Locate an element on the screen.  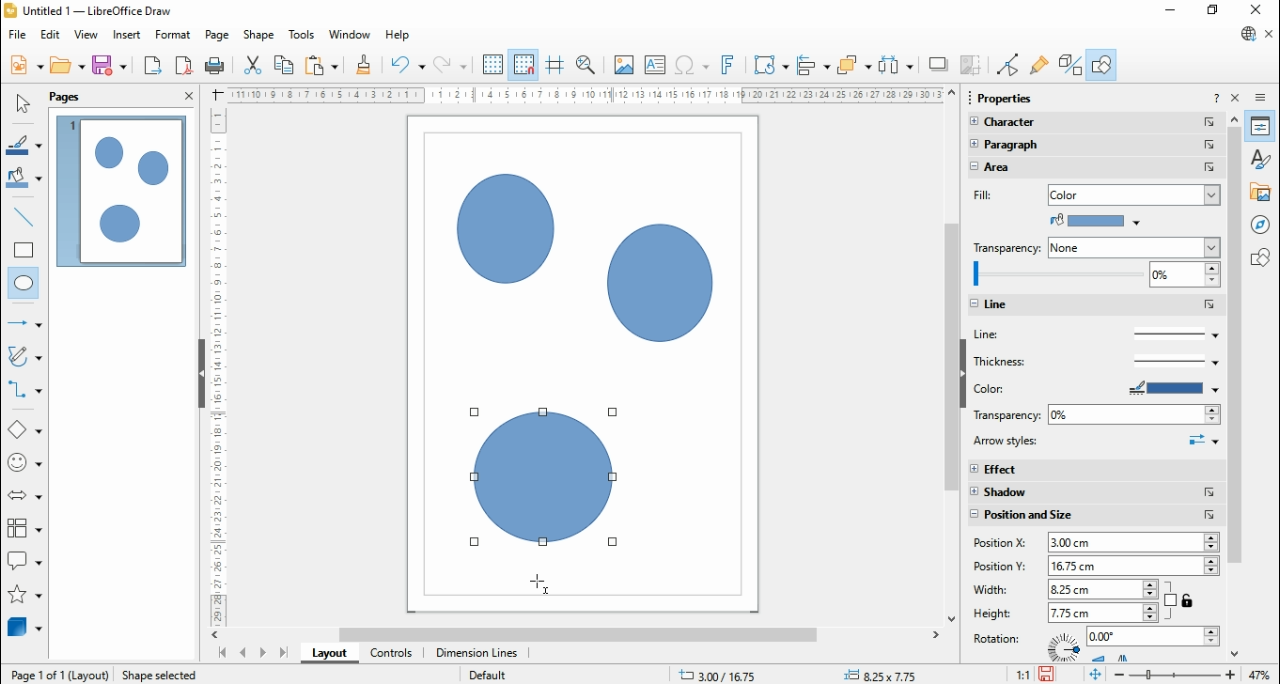
width is located at coordinates (995, 589).